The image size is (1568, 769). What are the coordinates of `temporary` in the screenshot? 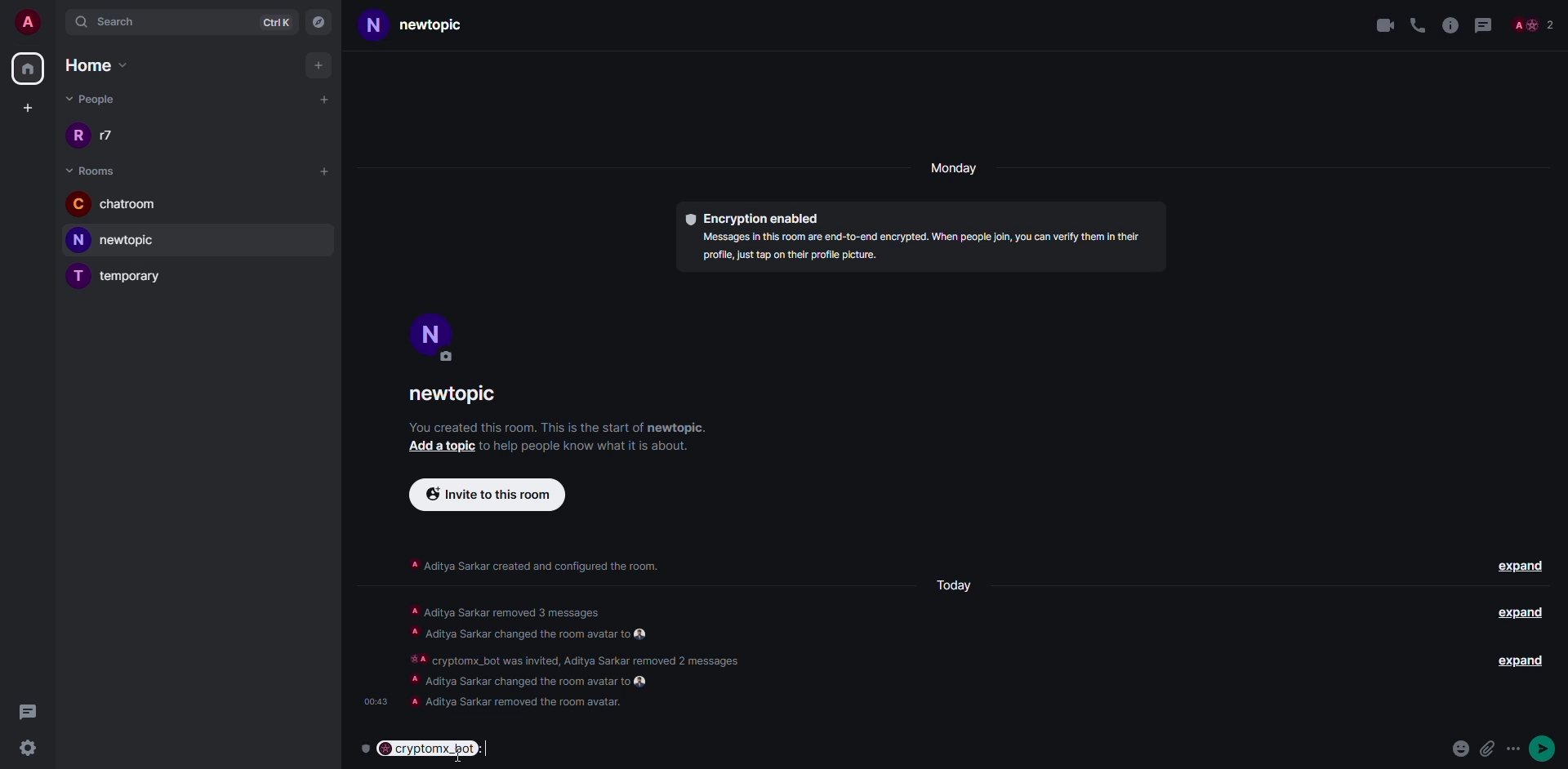 It's located at (119, 278).